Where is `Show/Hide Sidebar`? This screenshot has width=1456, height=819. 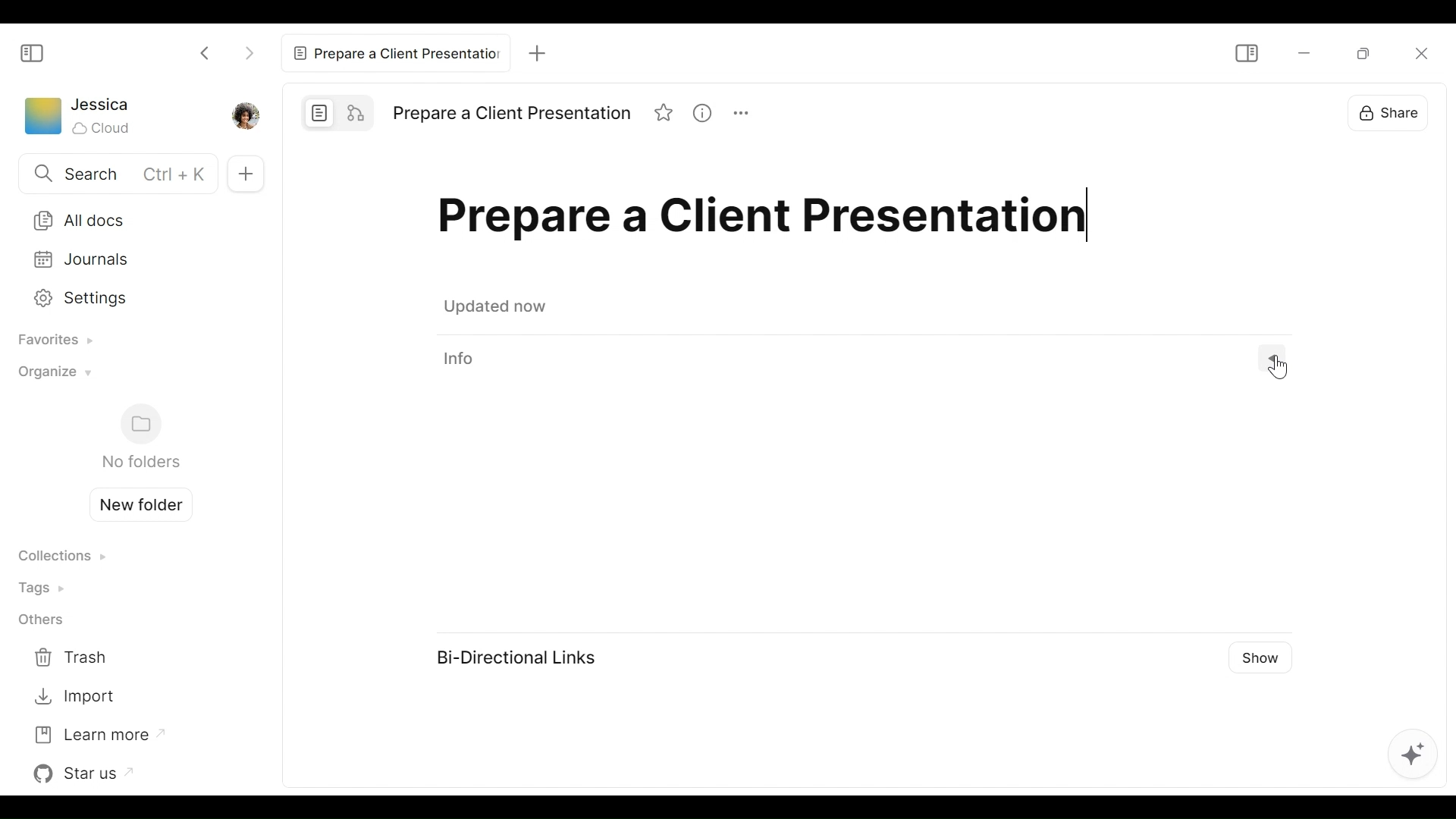
Show/Hide Sidebar is located at coordinates (33, 52).